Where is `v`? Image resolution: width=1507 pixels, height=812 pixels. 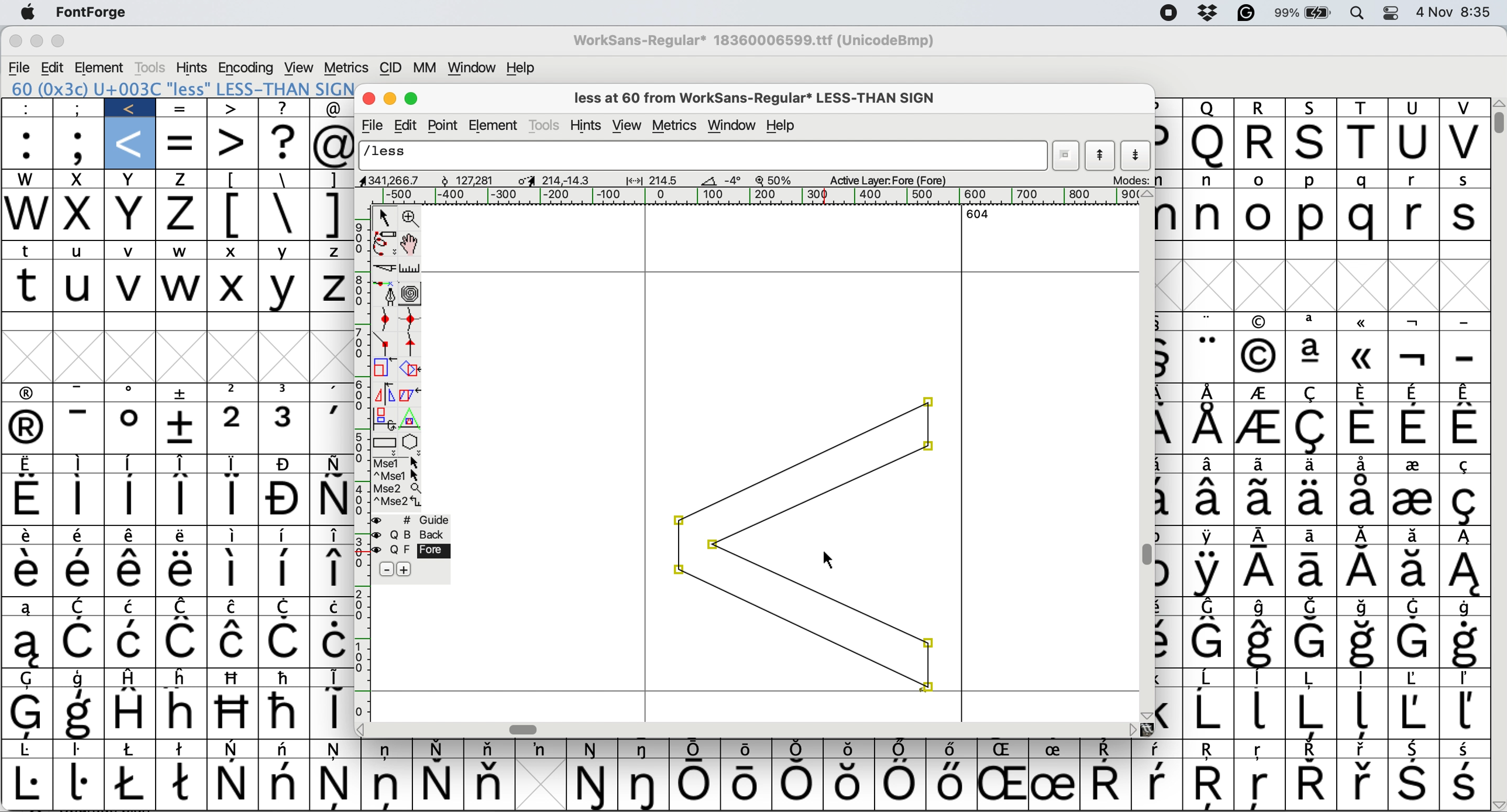 v is located at coordinates (131, 285).